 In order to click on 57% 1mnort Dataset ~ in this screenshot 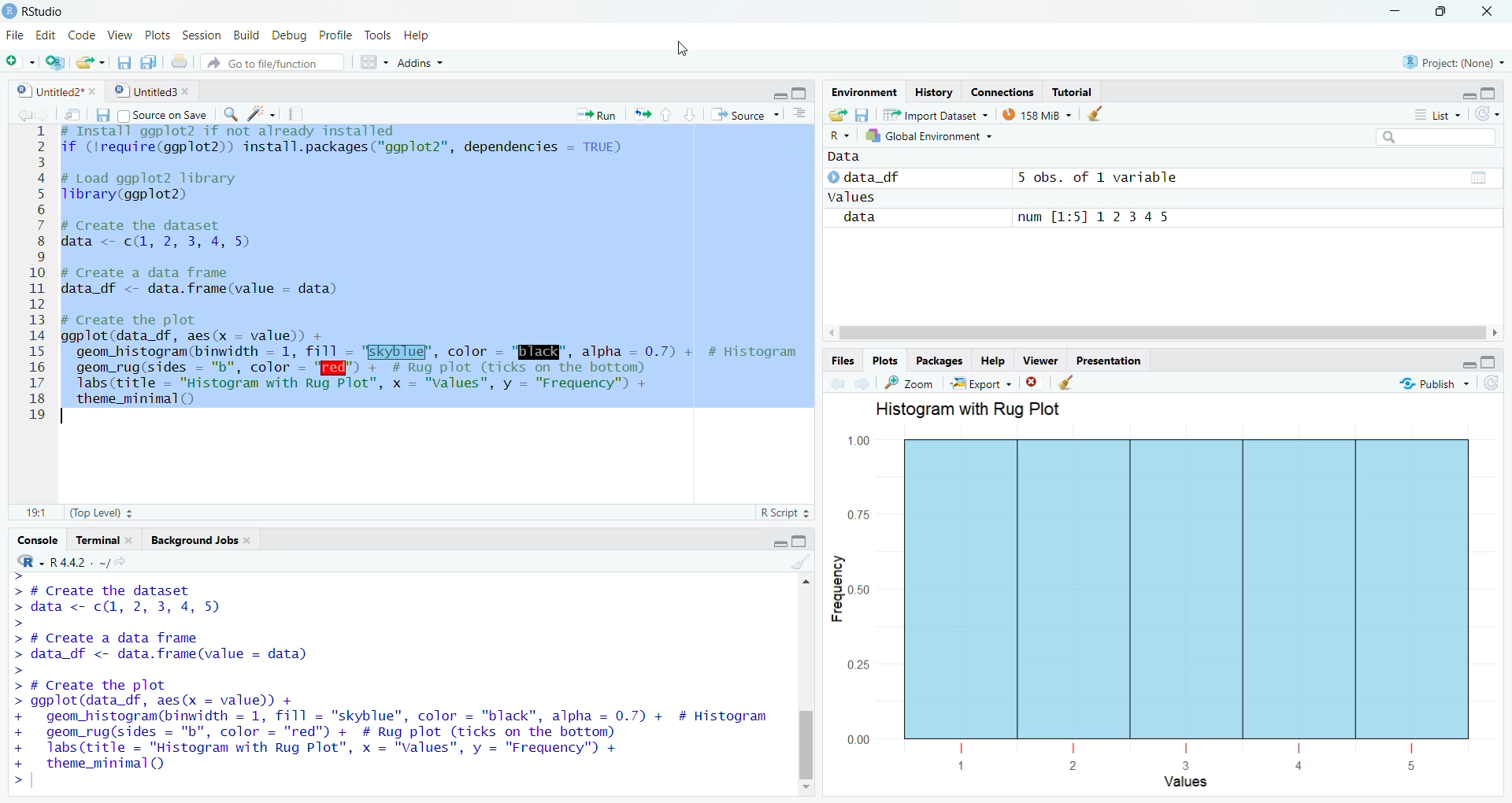, I will do `click(932, 113)`.